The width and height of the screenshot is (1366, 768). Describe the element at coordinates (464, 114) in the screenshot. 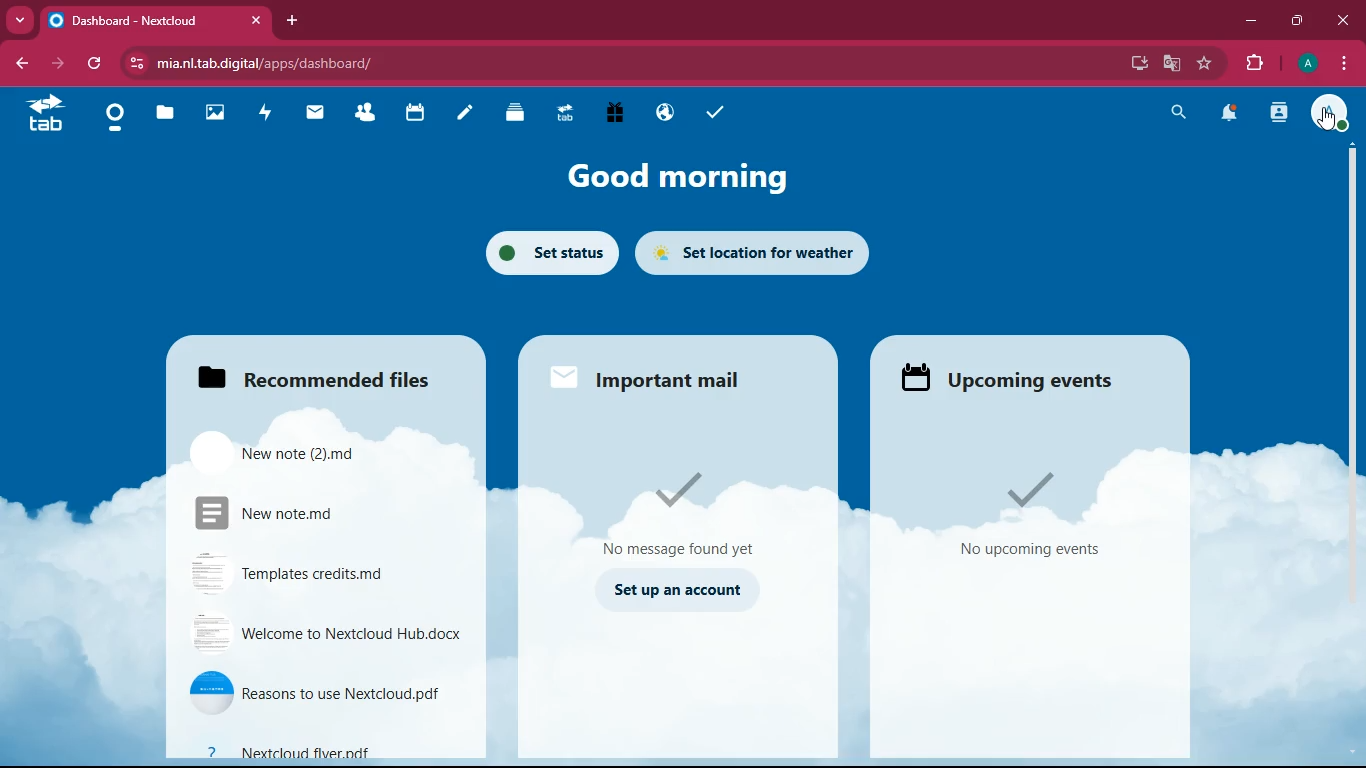

I see `notes` at that location.